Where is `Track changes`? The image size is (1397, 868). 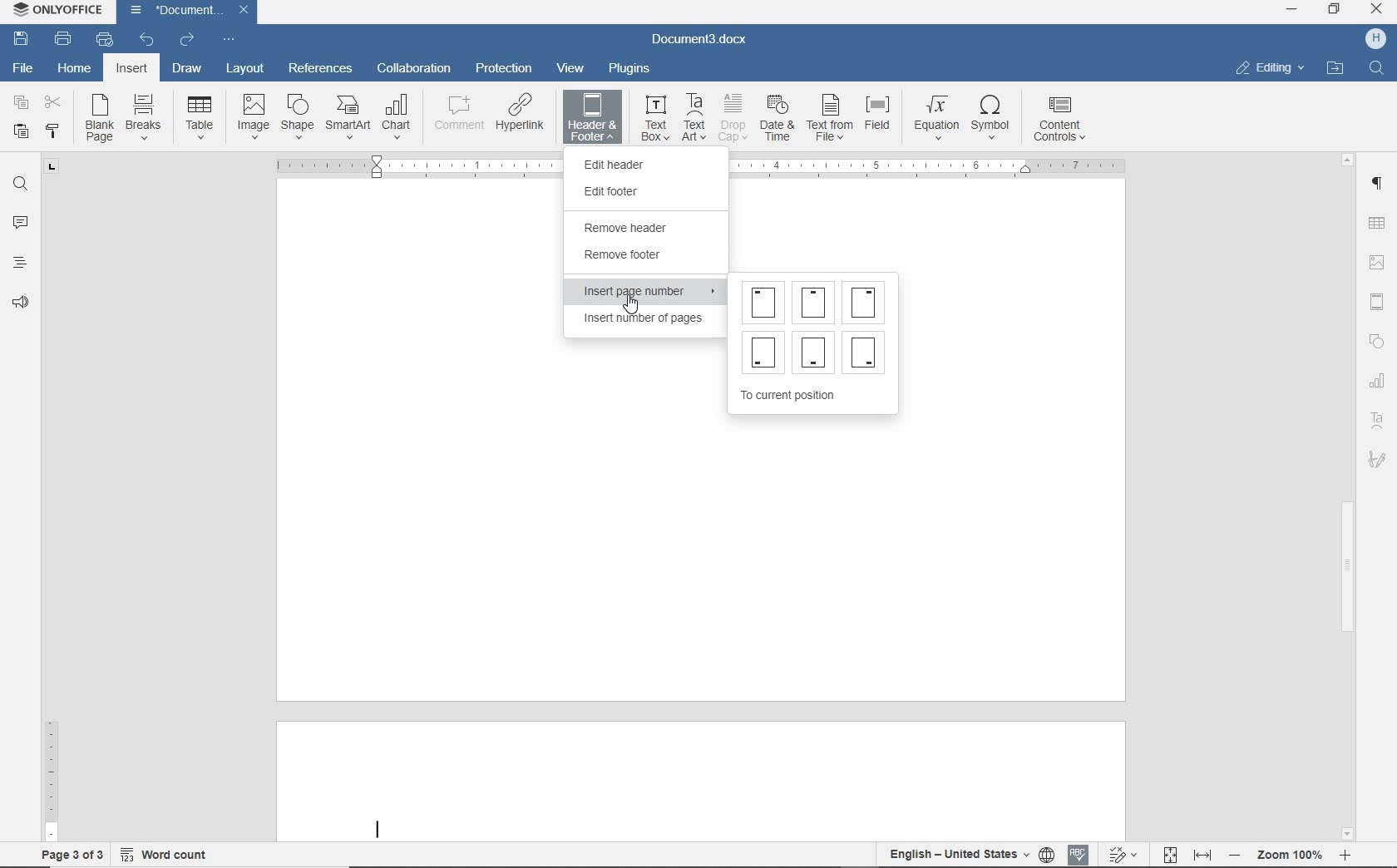 Track changes is located at coordinates (1120, 850).